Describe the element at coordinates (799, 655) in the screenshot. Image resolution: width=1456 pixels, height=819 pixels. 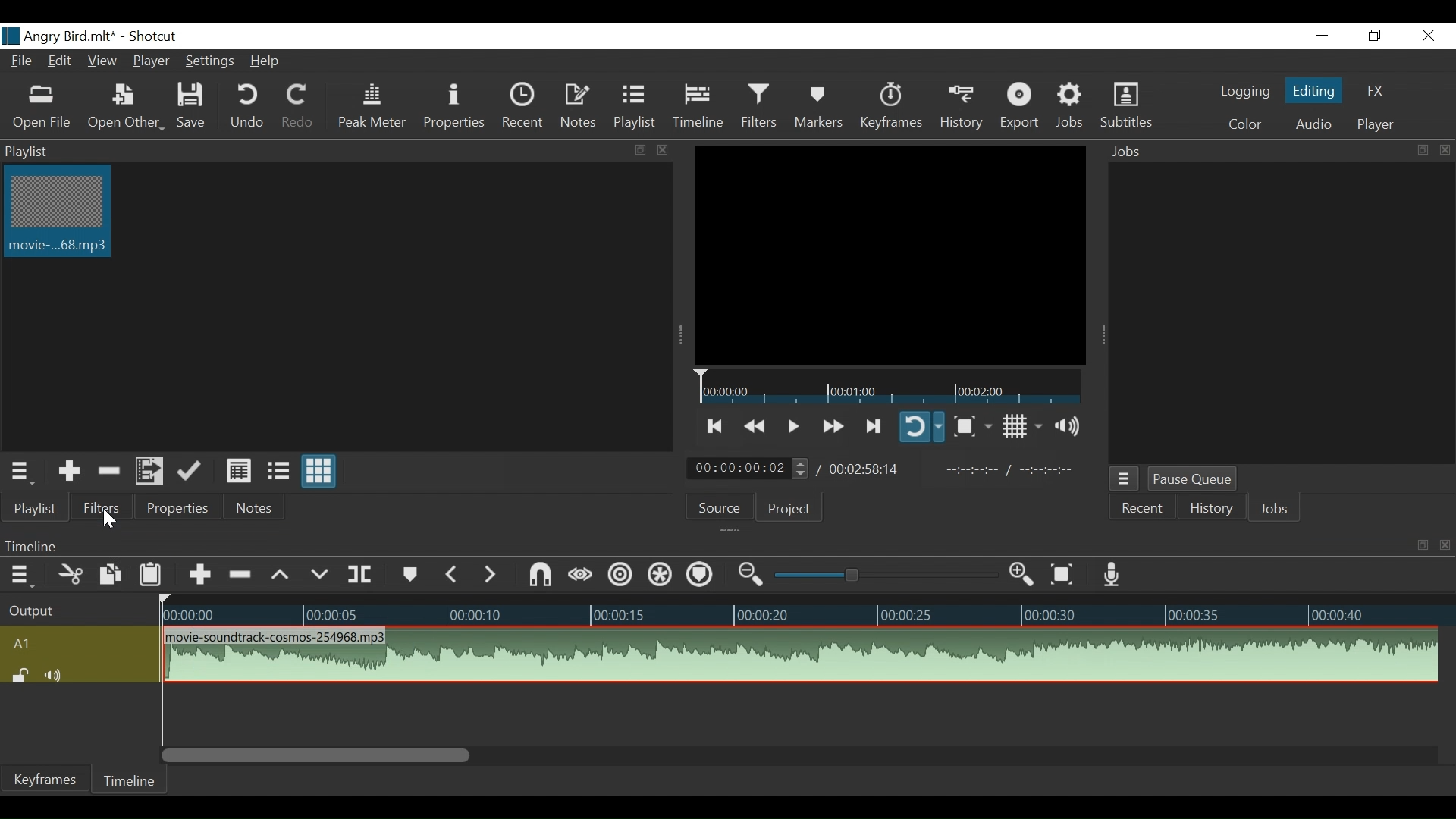
I see `Audio track clip` at that location.